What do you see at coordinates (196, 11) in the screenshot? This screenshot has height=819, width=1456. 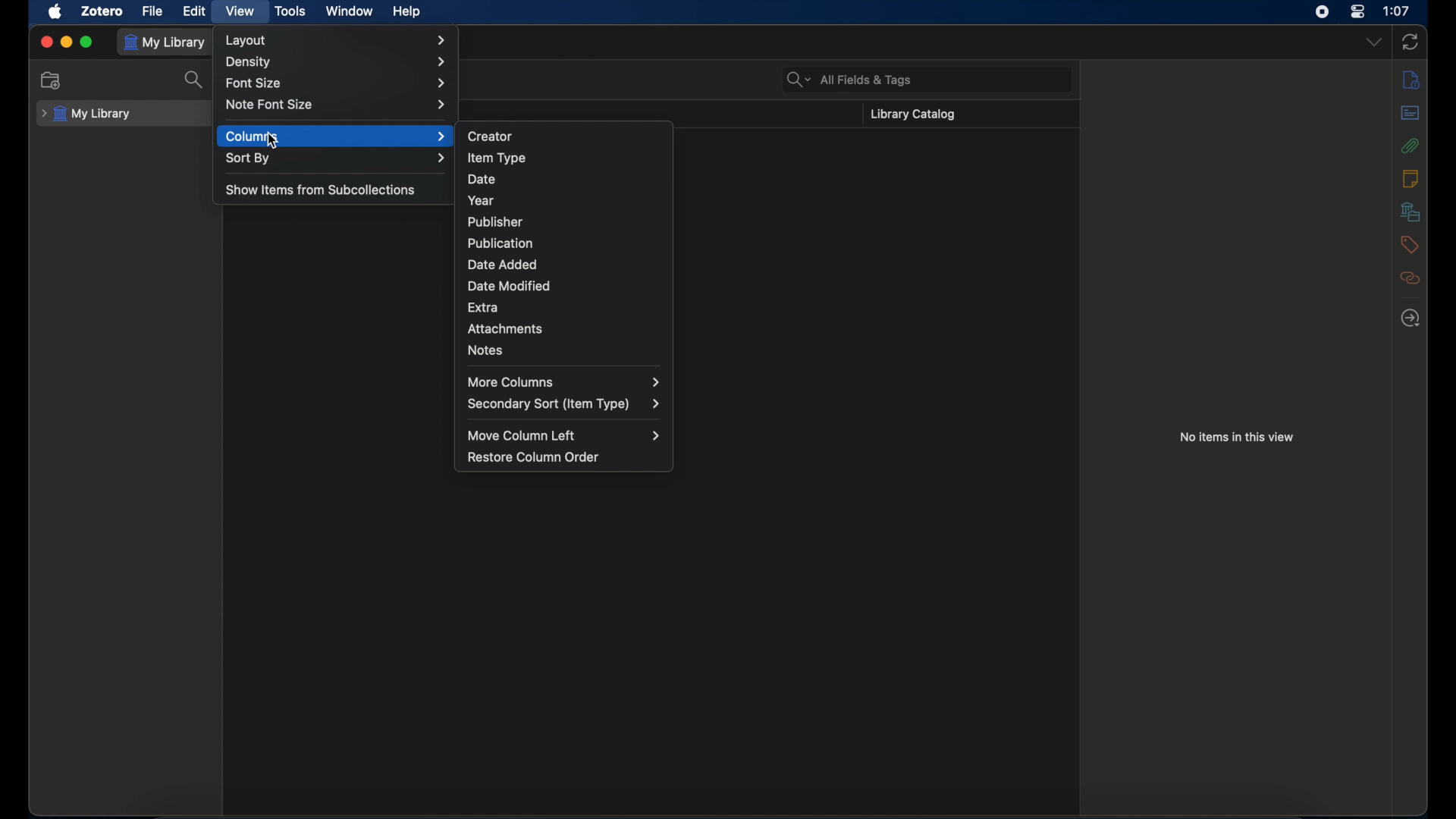 I see `edit` at bounding box center [196, 11].